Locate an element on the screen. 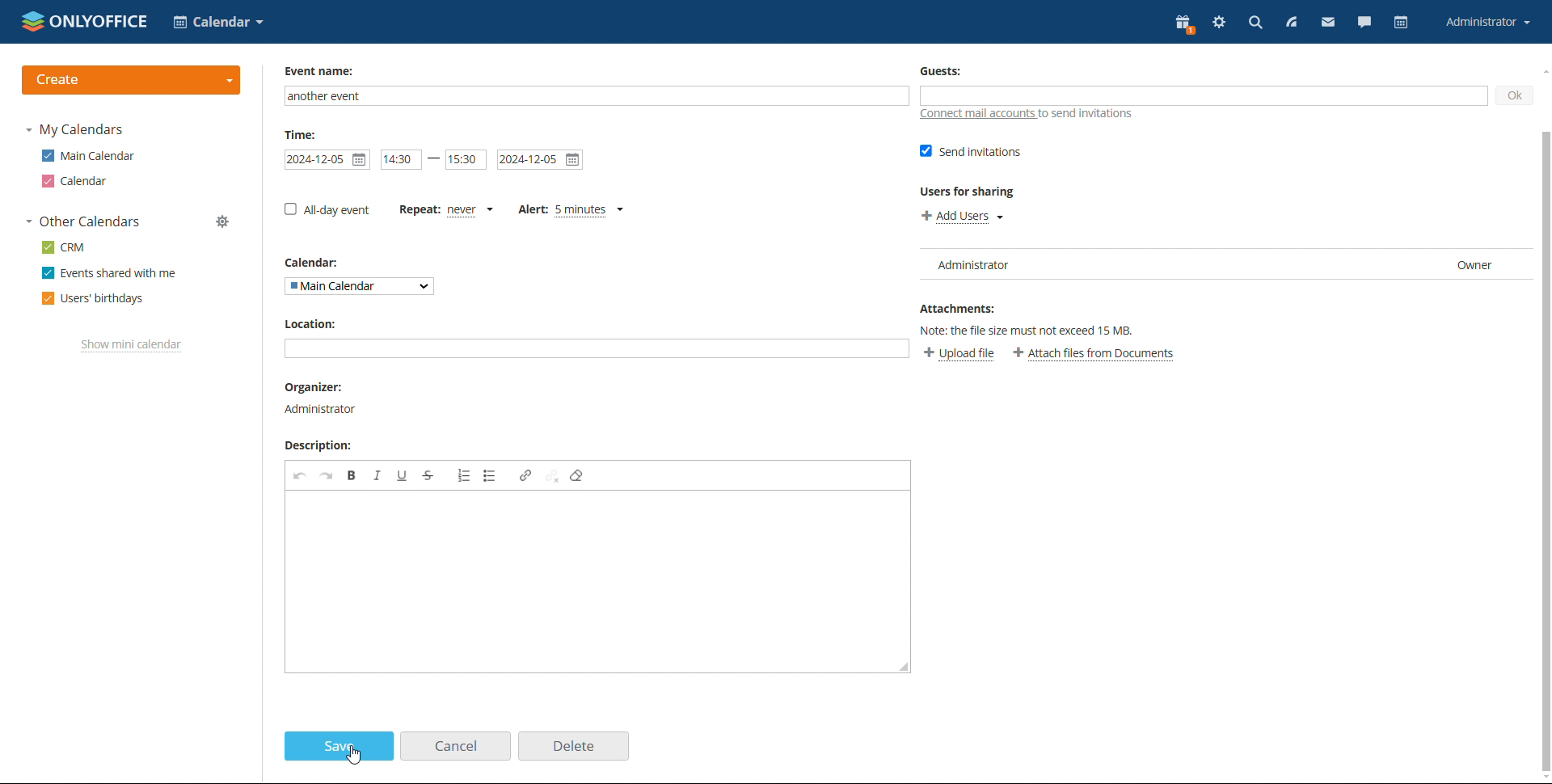 The image size is (1552, 784). end date is located at coordinates (541, 161).